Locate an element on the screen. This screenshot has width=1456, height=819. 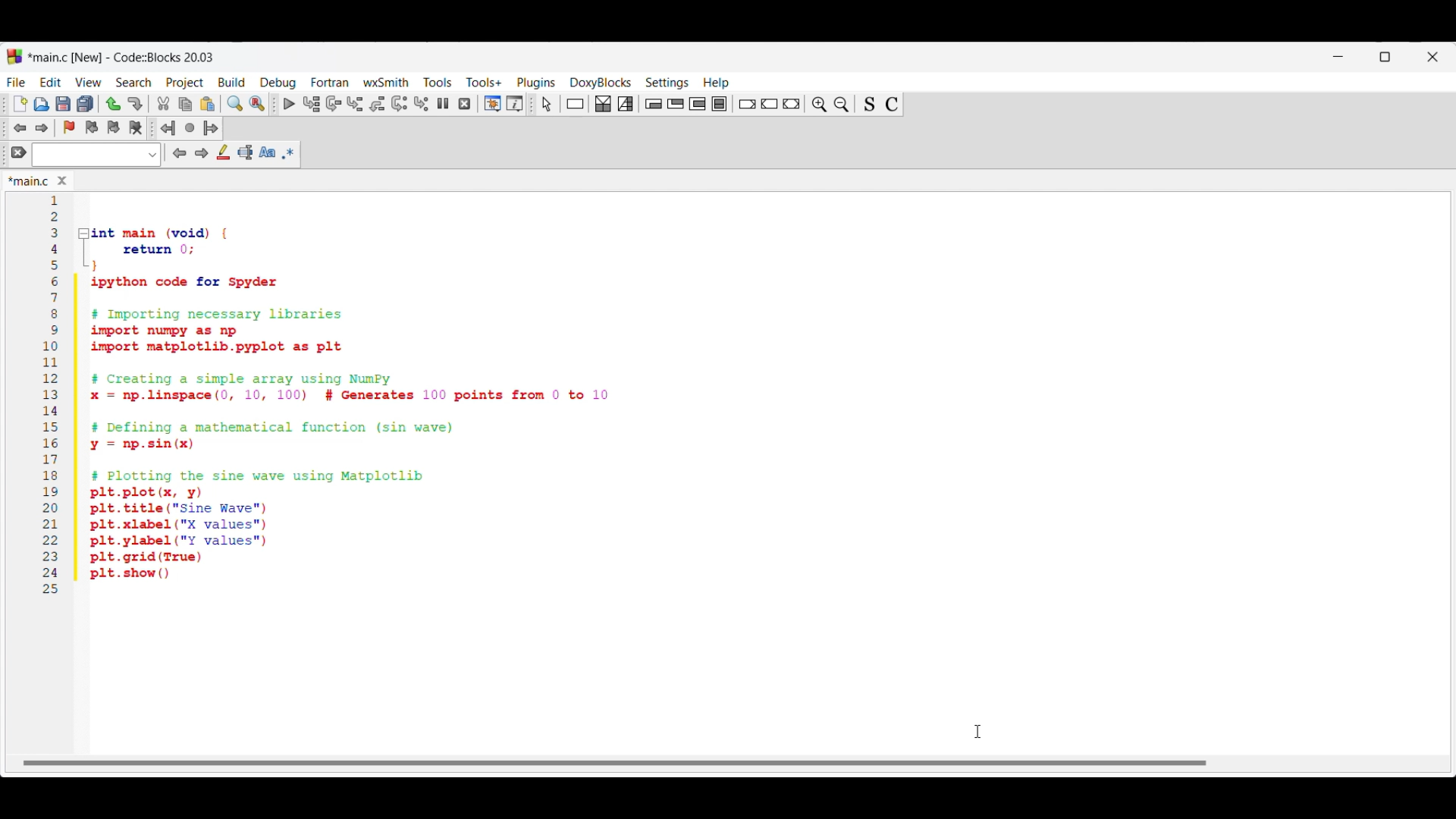
codeblock logo is located at coordinates (14, 57).